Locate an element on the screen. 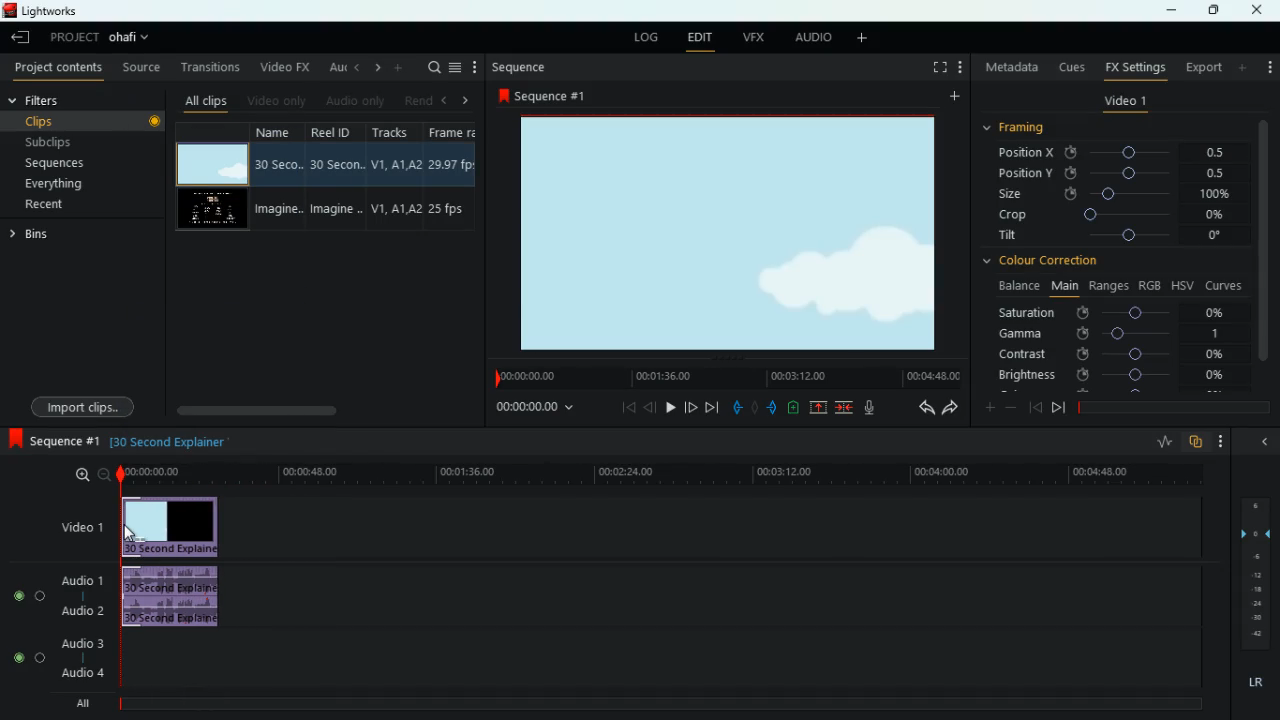 Image resolution: width=1280 pixels, height=720 pixels. tracks is located at coordinates (393, 177).